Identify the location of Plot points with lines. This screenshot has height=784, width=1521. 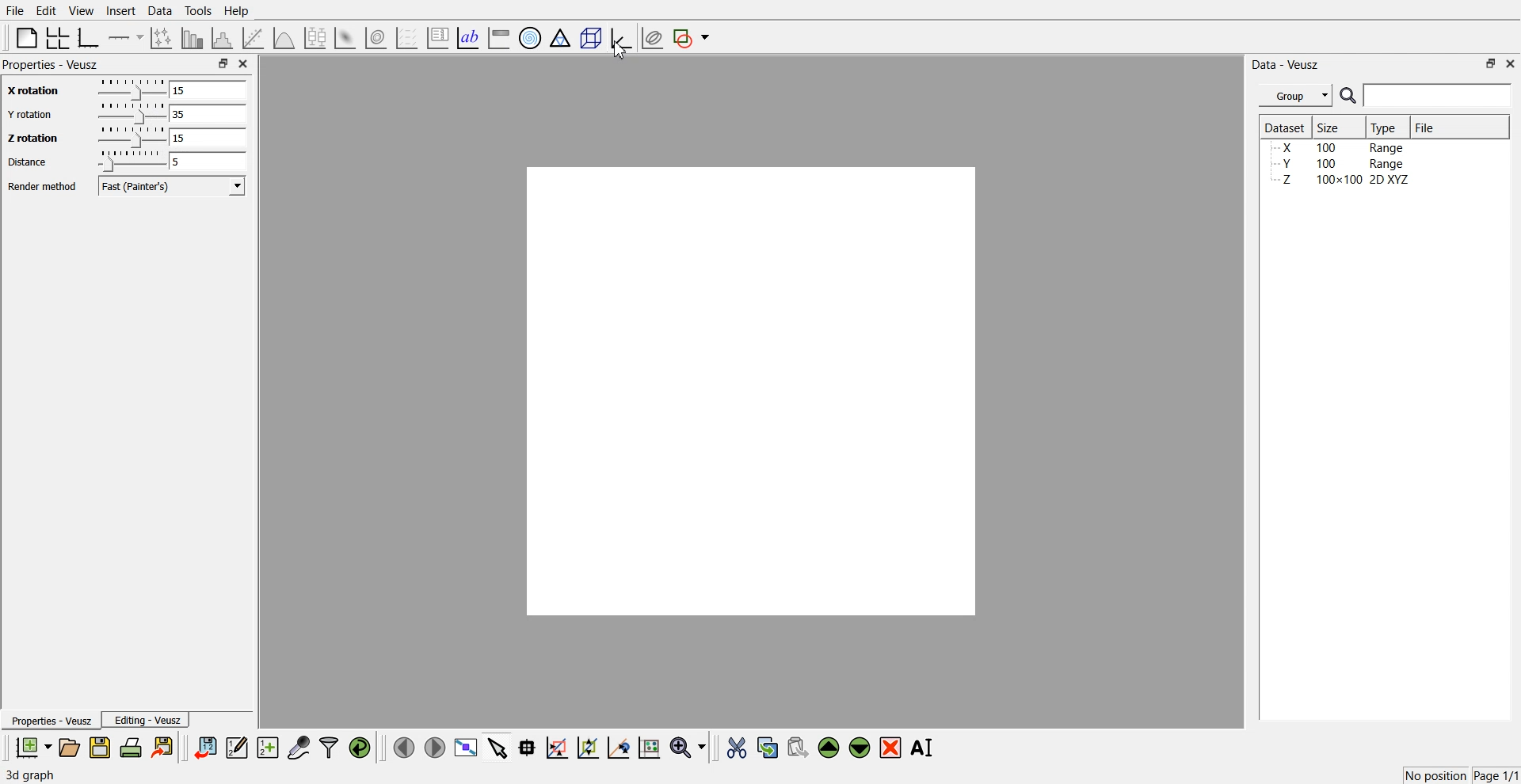
(162, 38).